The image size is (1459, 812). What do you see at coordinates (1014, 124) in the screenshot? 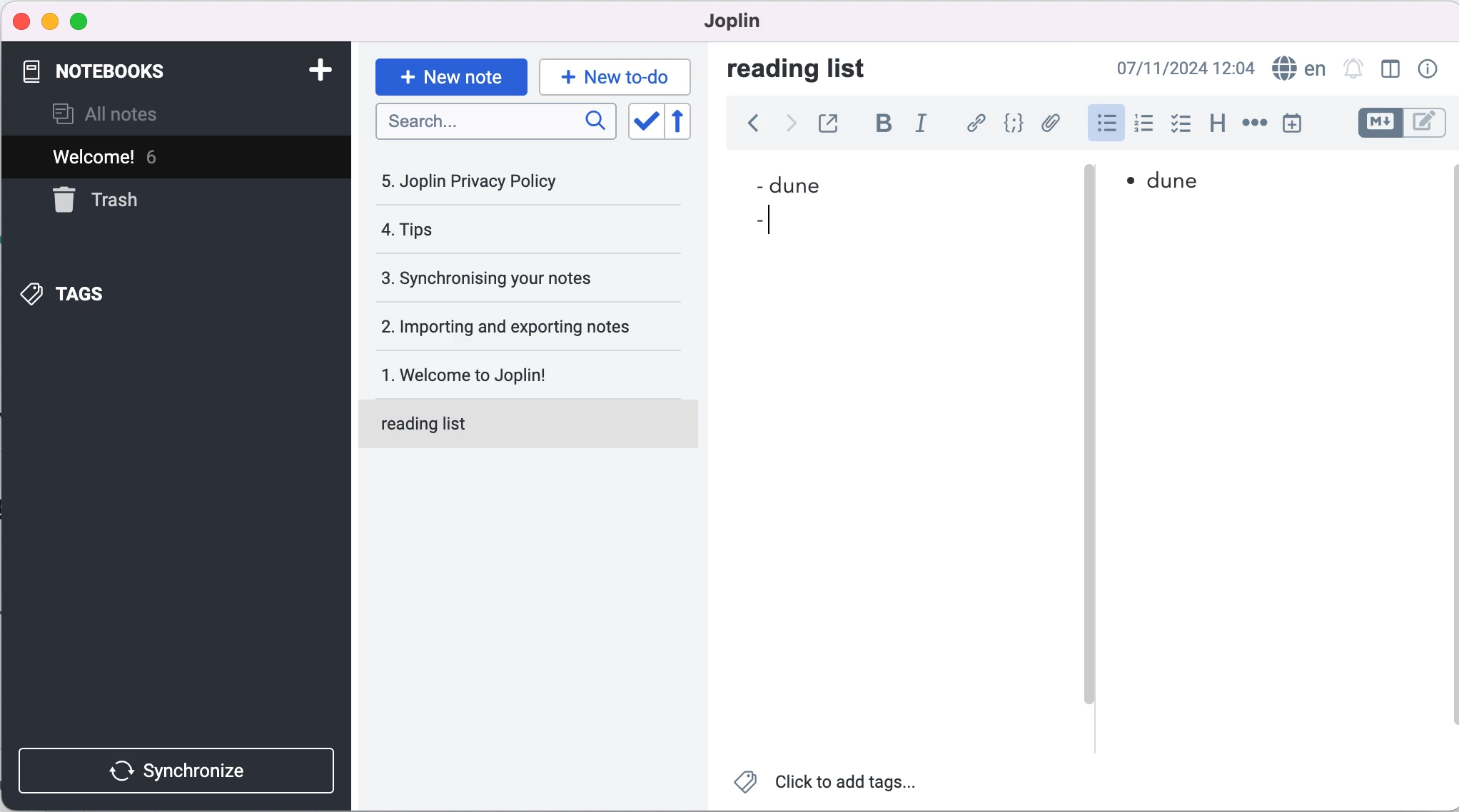
I see `code` at bounding box center [1014, 124].